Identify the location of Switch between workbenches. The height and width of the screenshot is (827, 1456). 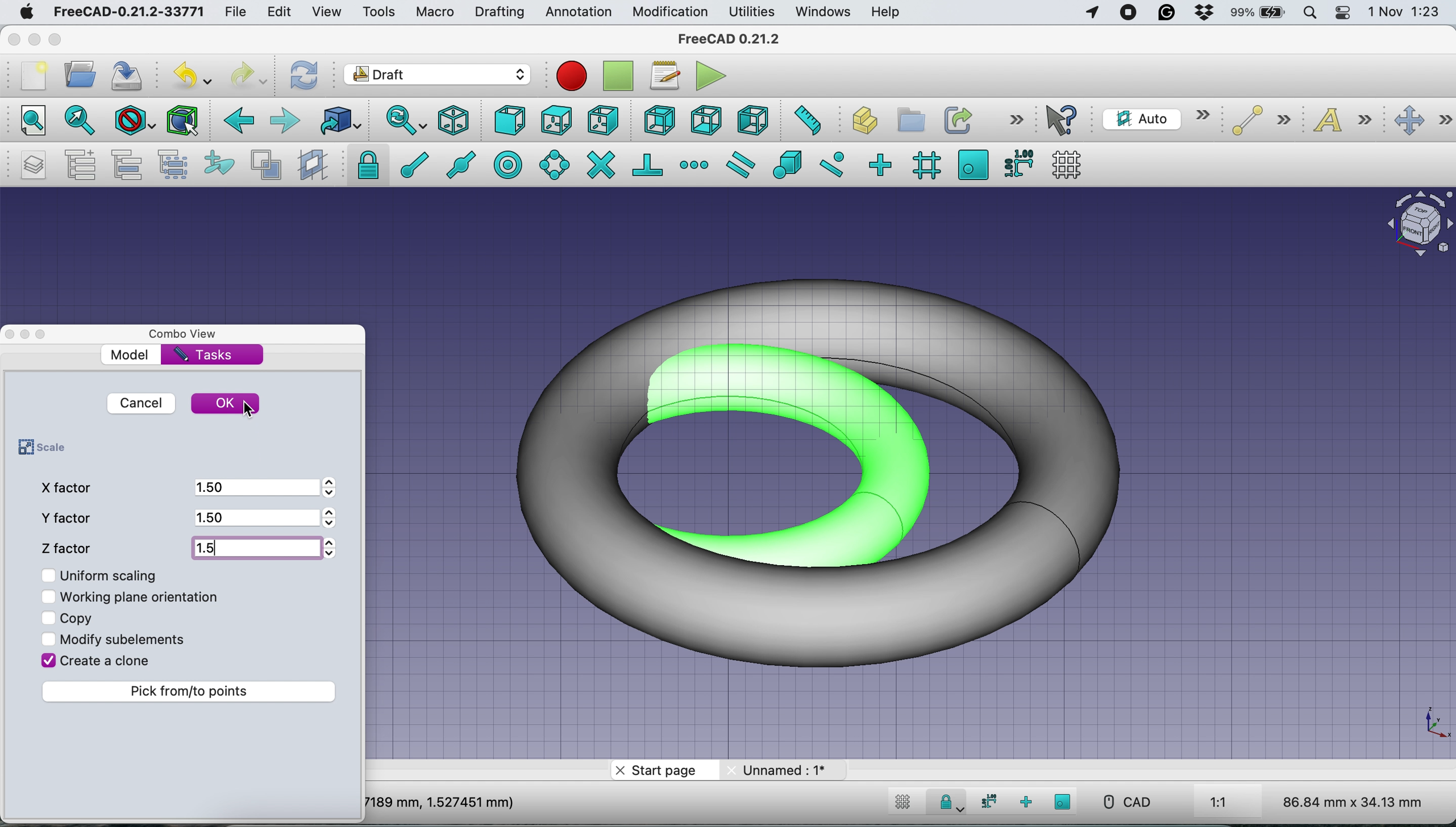
(437, 76).